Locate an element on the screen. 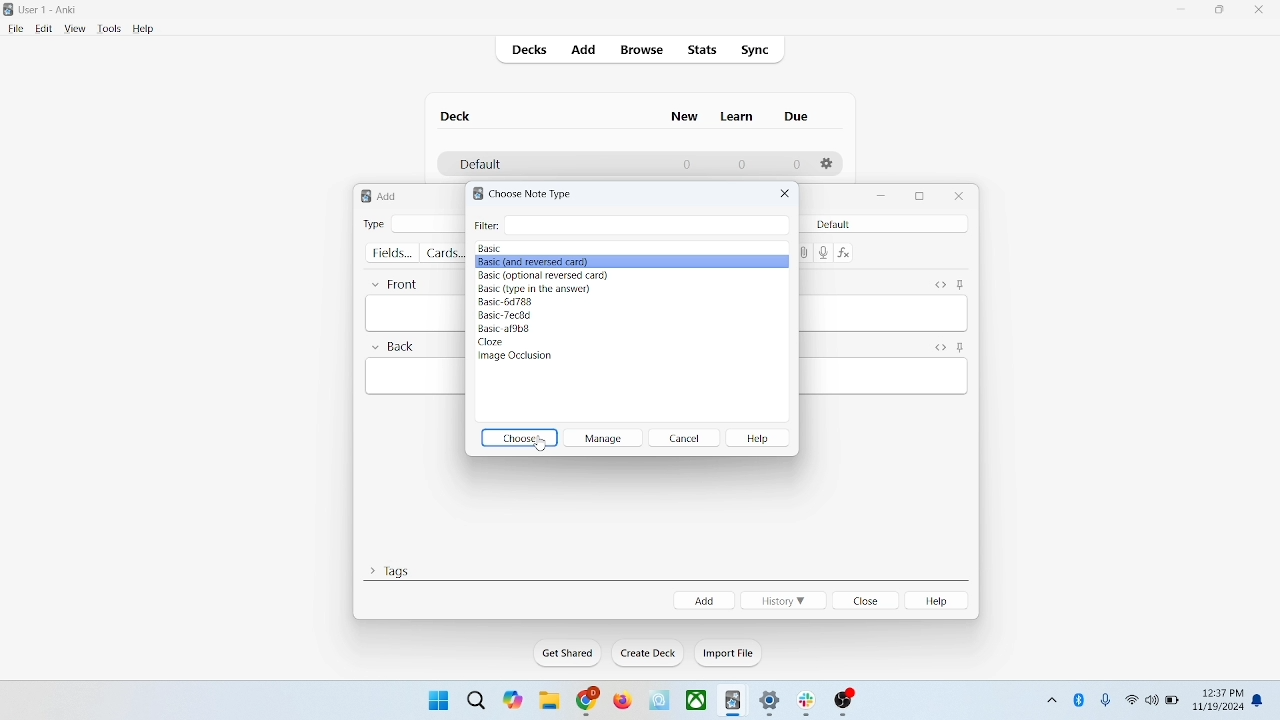 Image resolution: width=1280 pixels, height=720 pixels. due is located at coordinates (798, 117).